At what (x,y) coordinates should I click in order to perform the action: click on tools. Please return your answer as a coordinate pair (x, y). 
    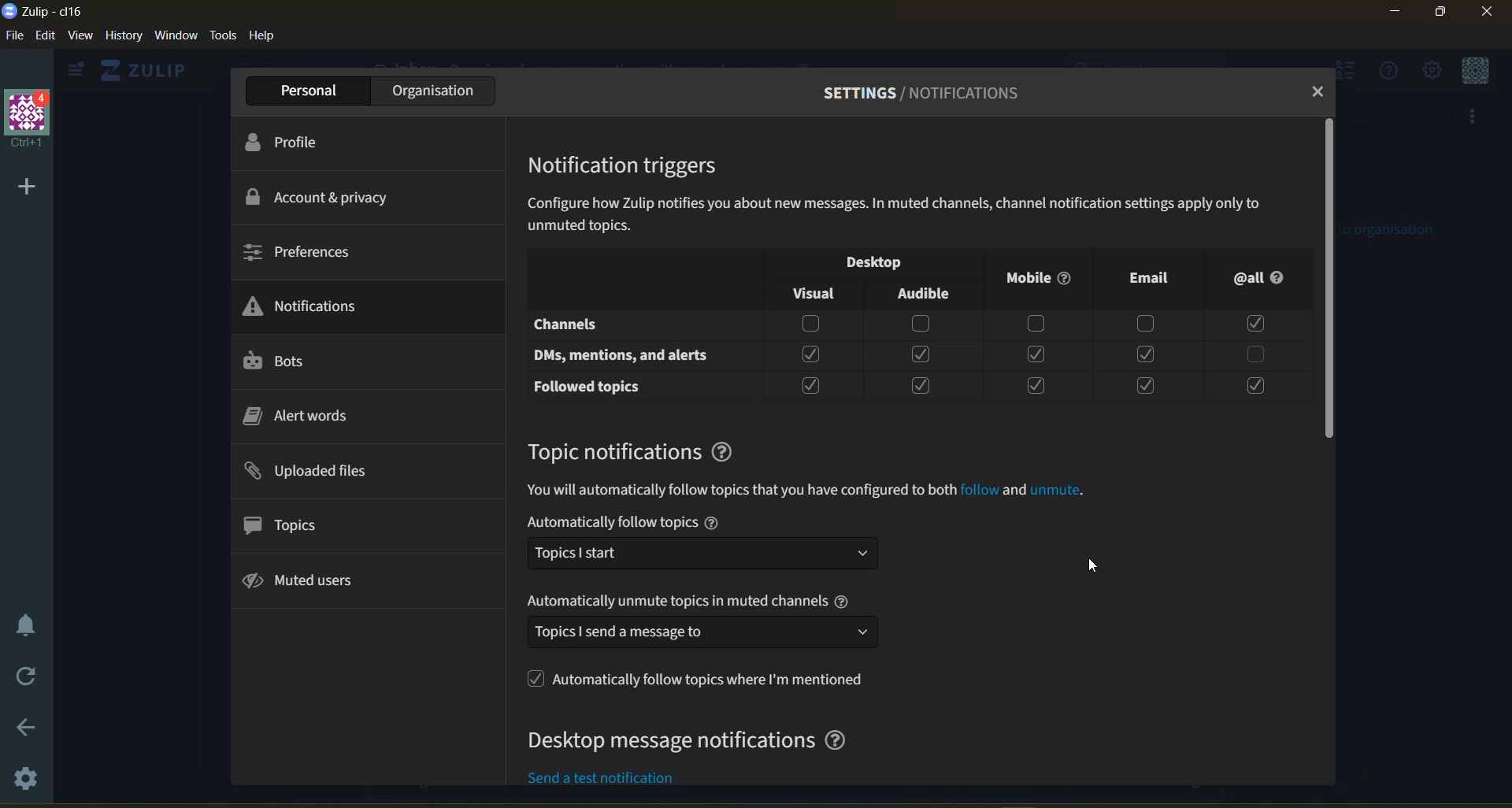
    Looking at the image, I should click on (224, 36).